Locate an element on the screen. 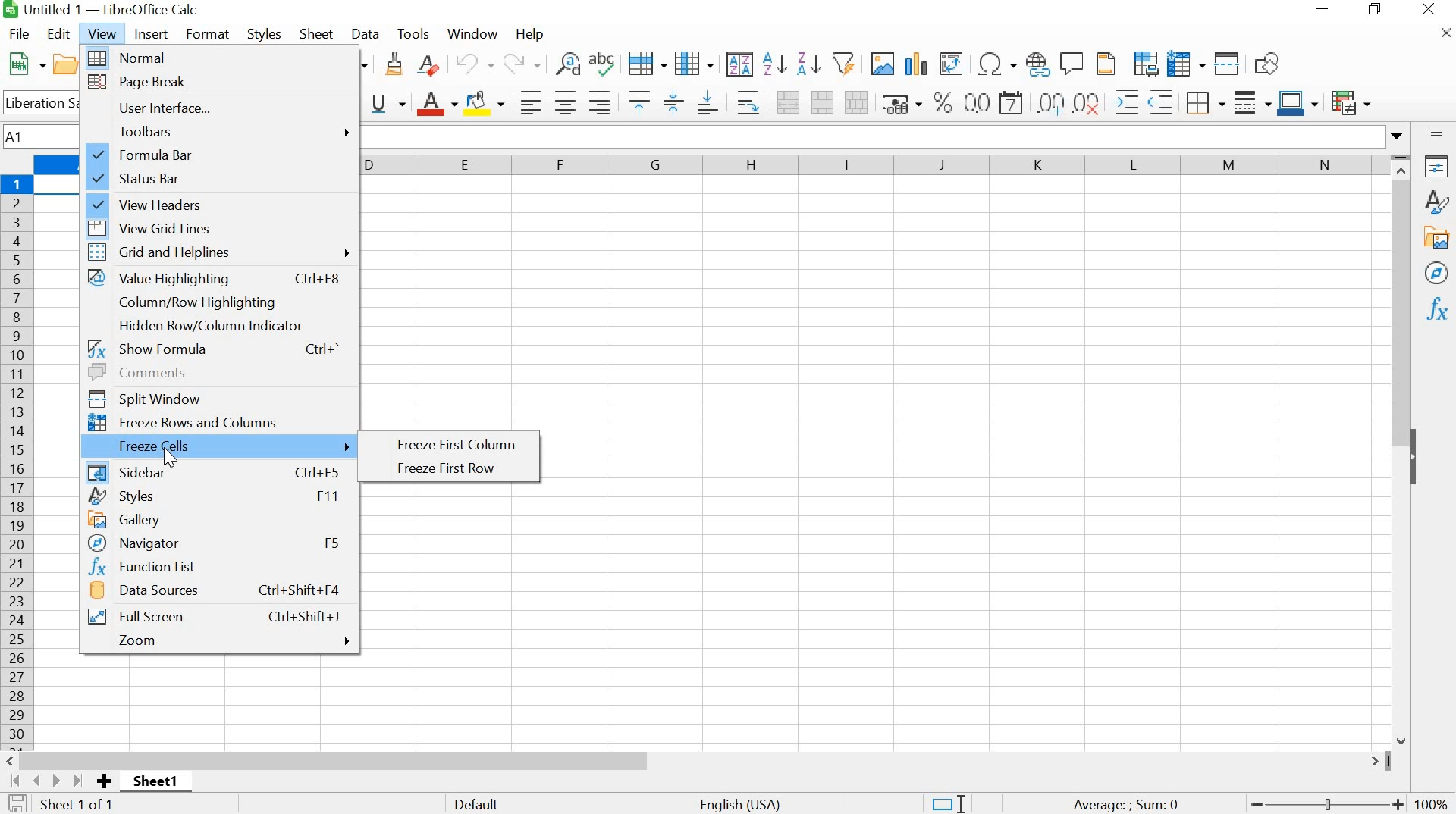 Image resolution: width=1456 pixels, height=814 pixels. FONT COLOR is located at coordinates (436, 104).